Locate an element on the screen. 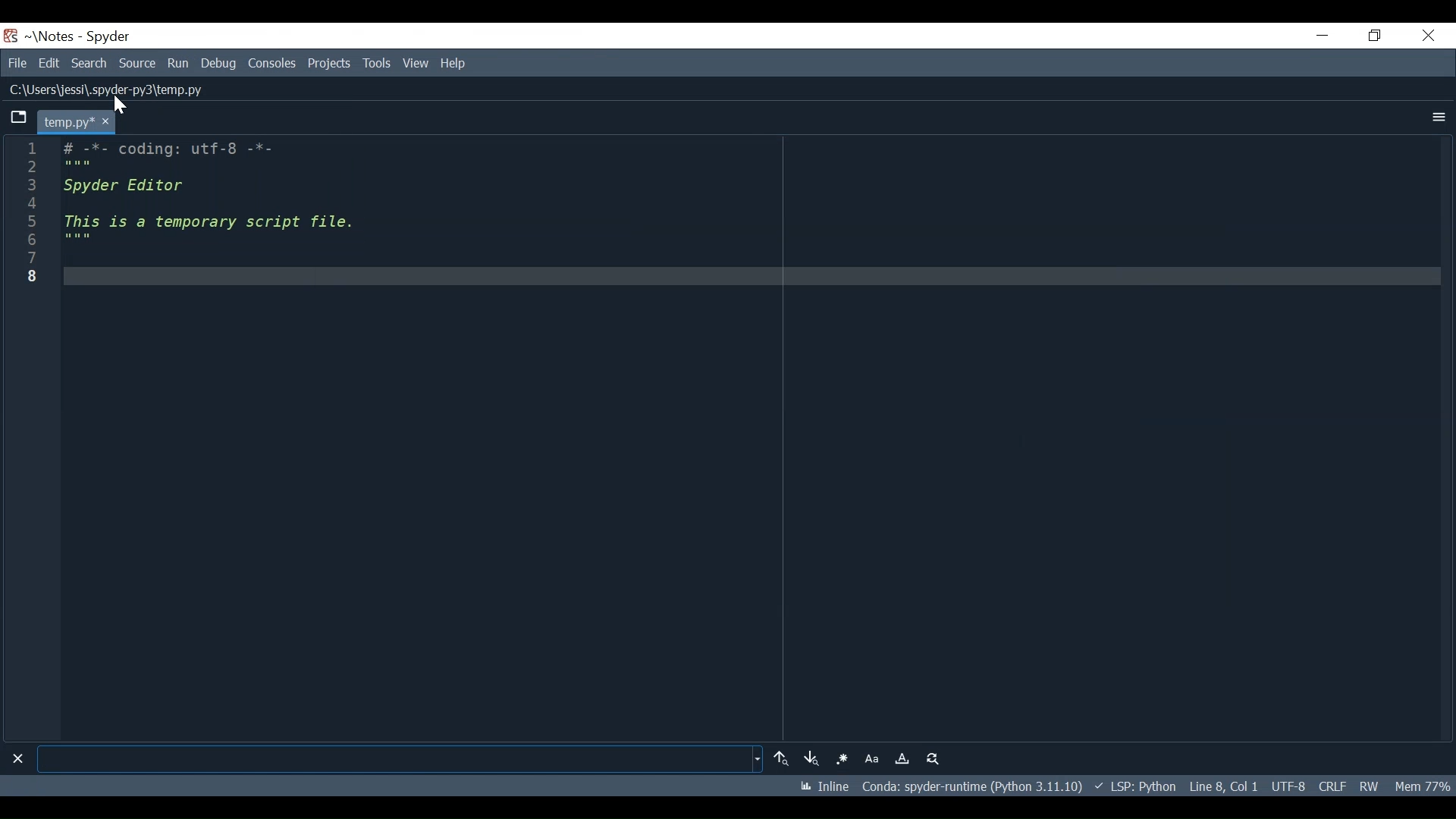  Close is located at coordinates (17, 758).